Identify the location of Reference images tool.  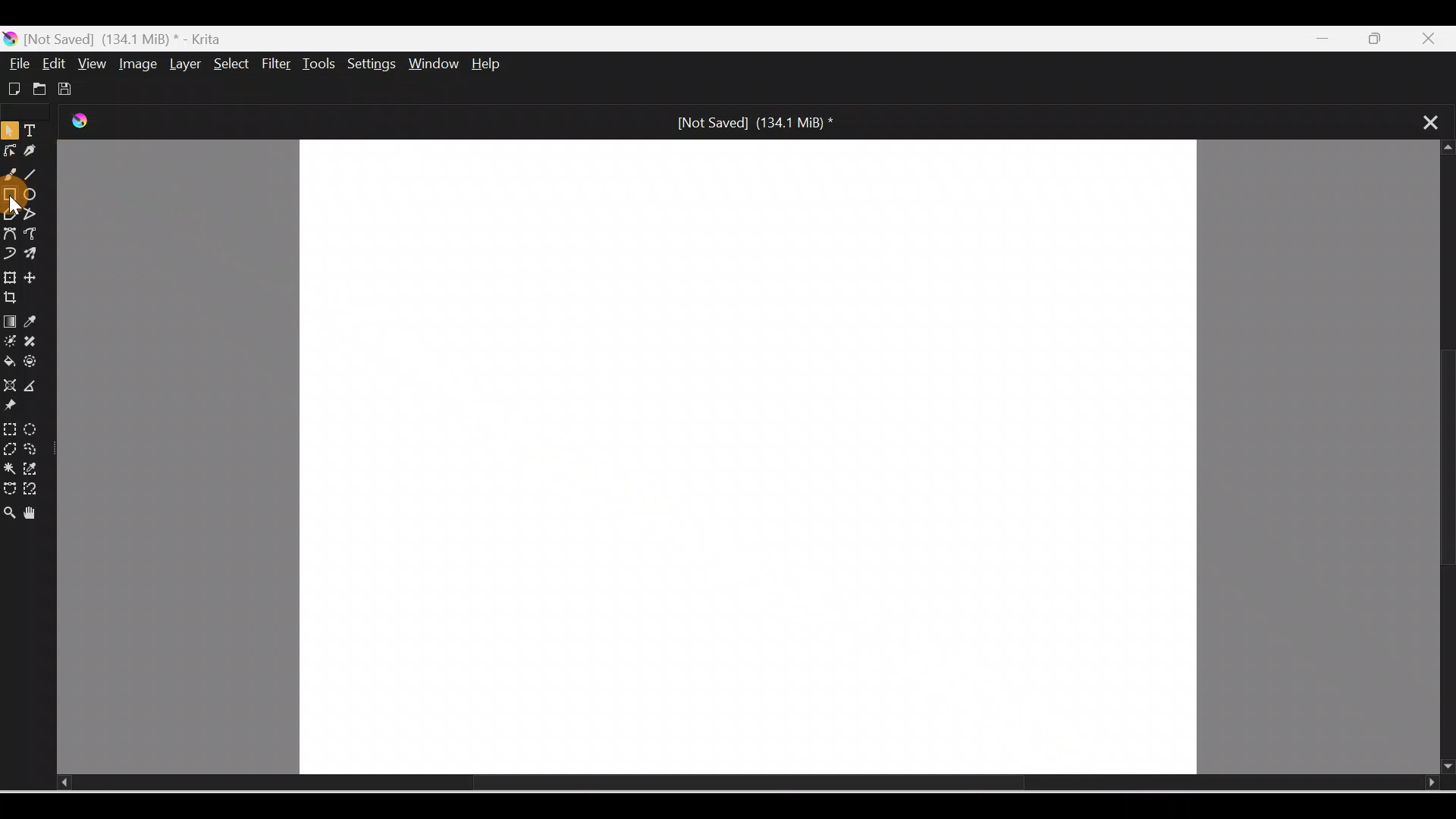
(19, 408).